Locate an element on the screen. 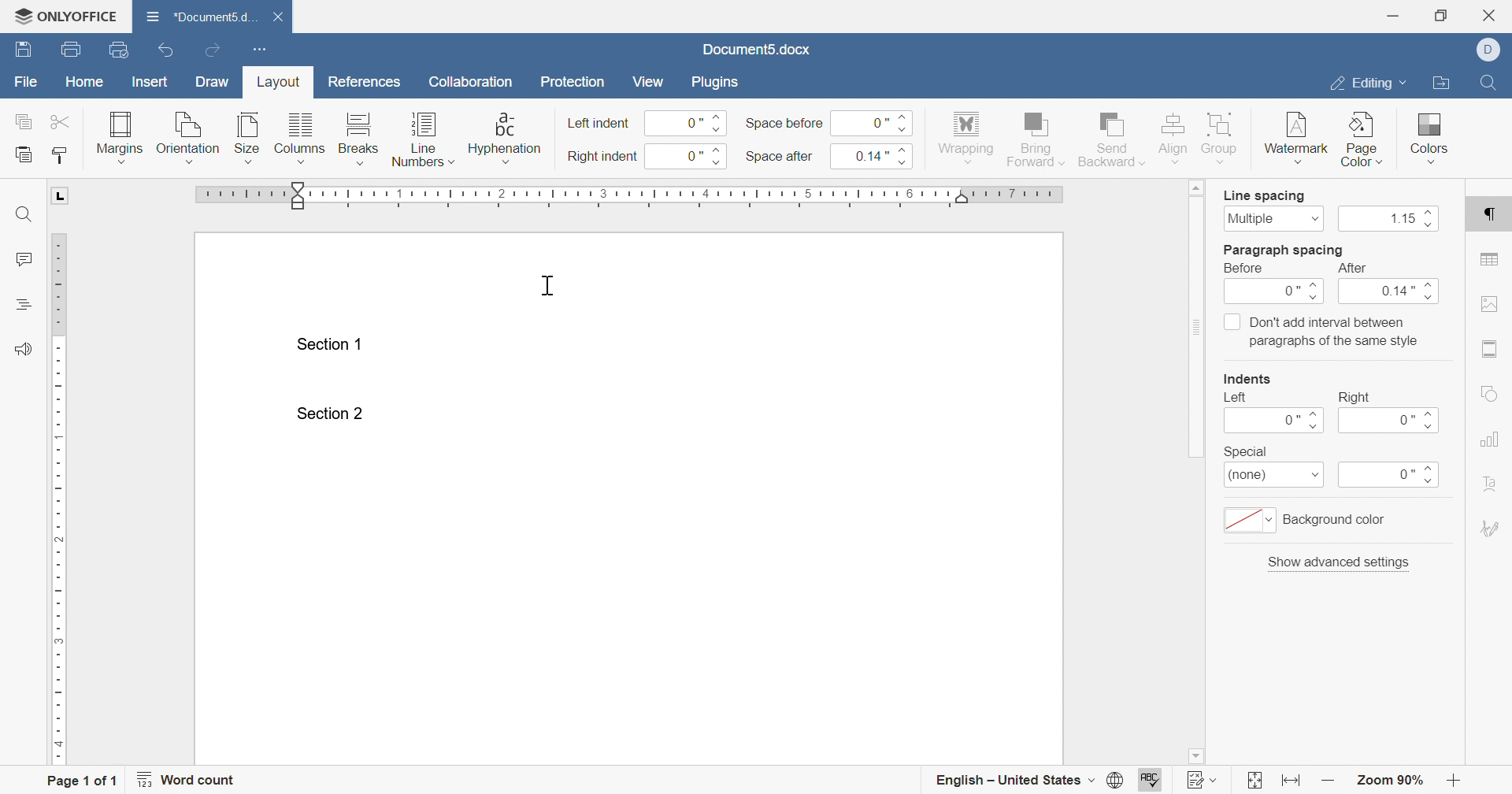 This screenshot has height=794, width=1512. shape settings is located at coordinates (1488, 393).